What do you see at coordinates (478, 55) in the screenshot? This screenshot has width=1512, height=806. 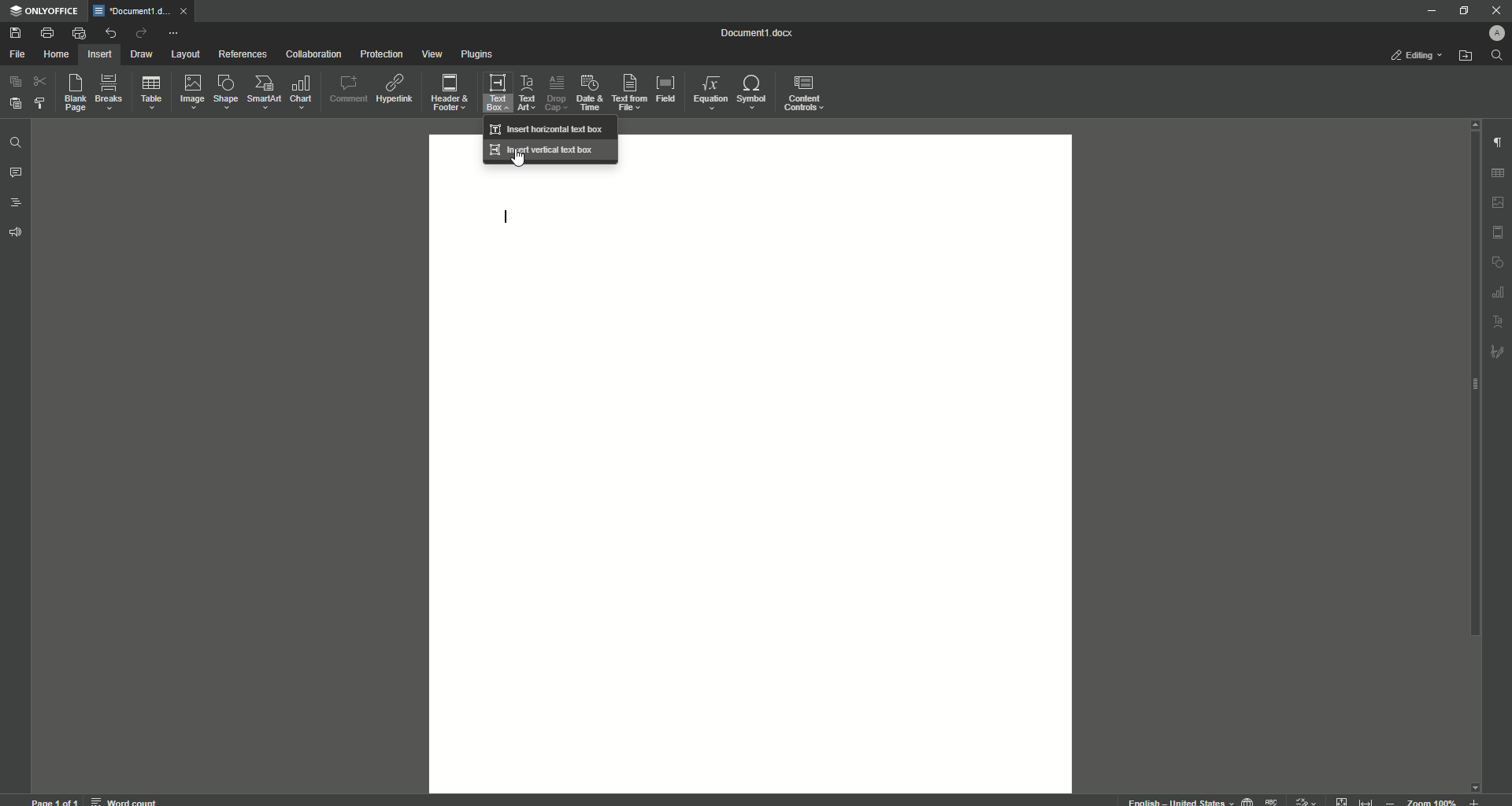 I see `Plugins` at bounding box center [478, 55].